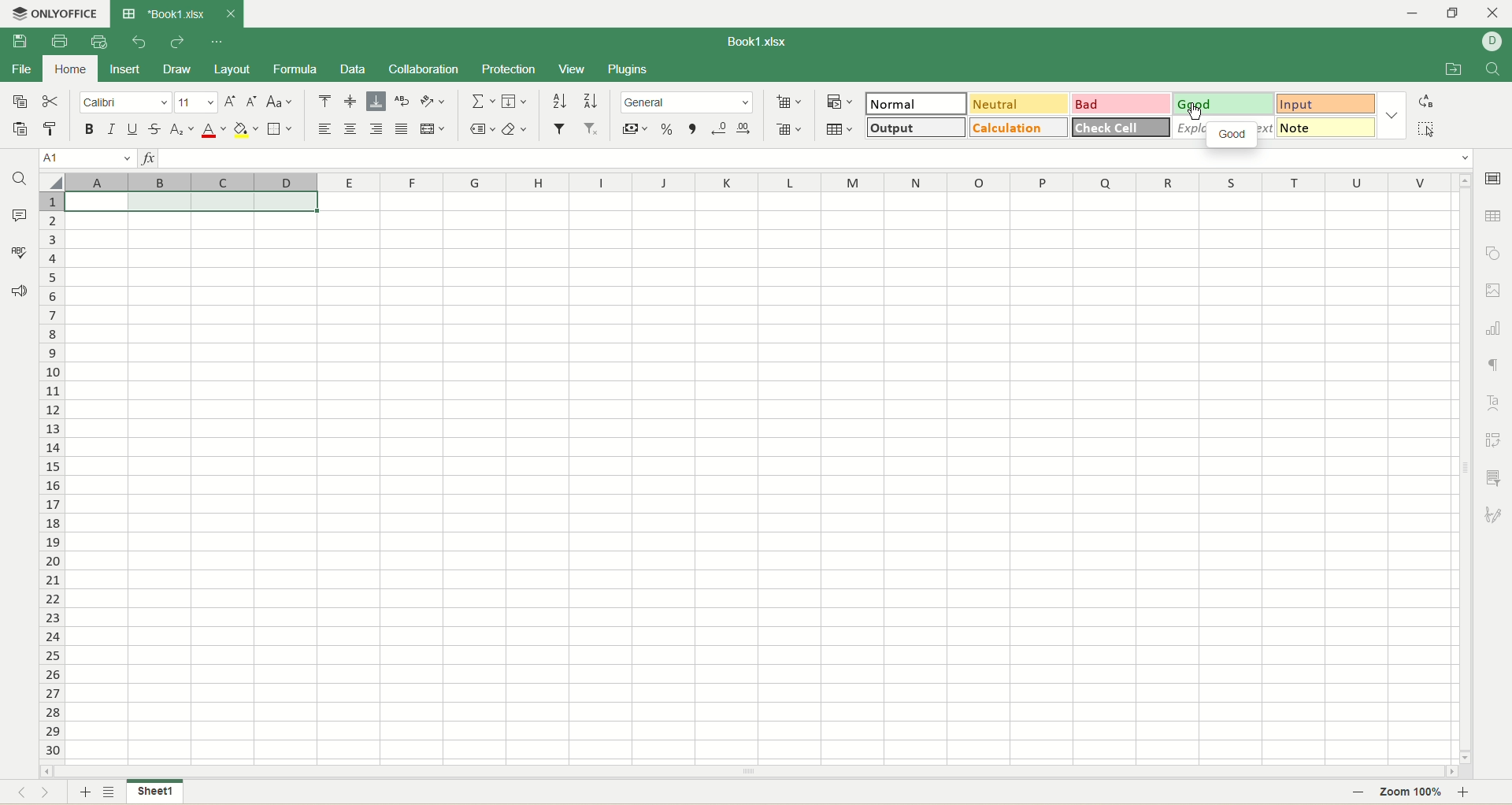 This screenshot has width=1512, height=805. What do you see at coordinates (1495, 403) in the screenshot?
I see `text art settings` at bounding box center [1495, 403].